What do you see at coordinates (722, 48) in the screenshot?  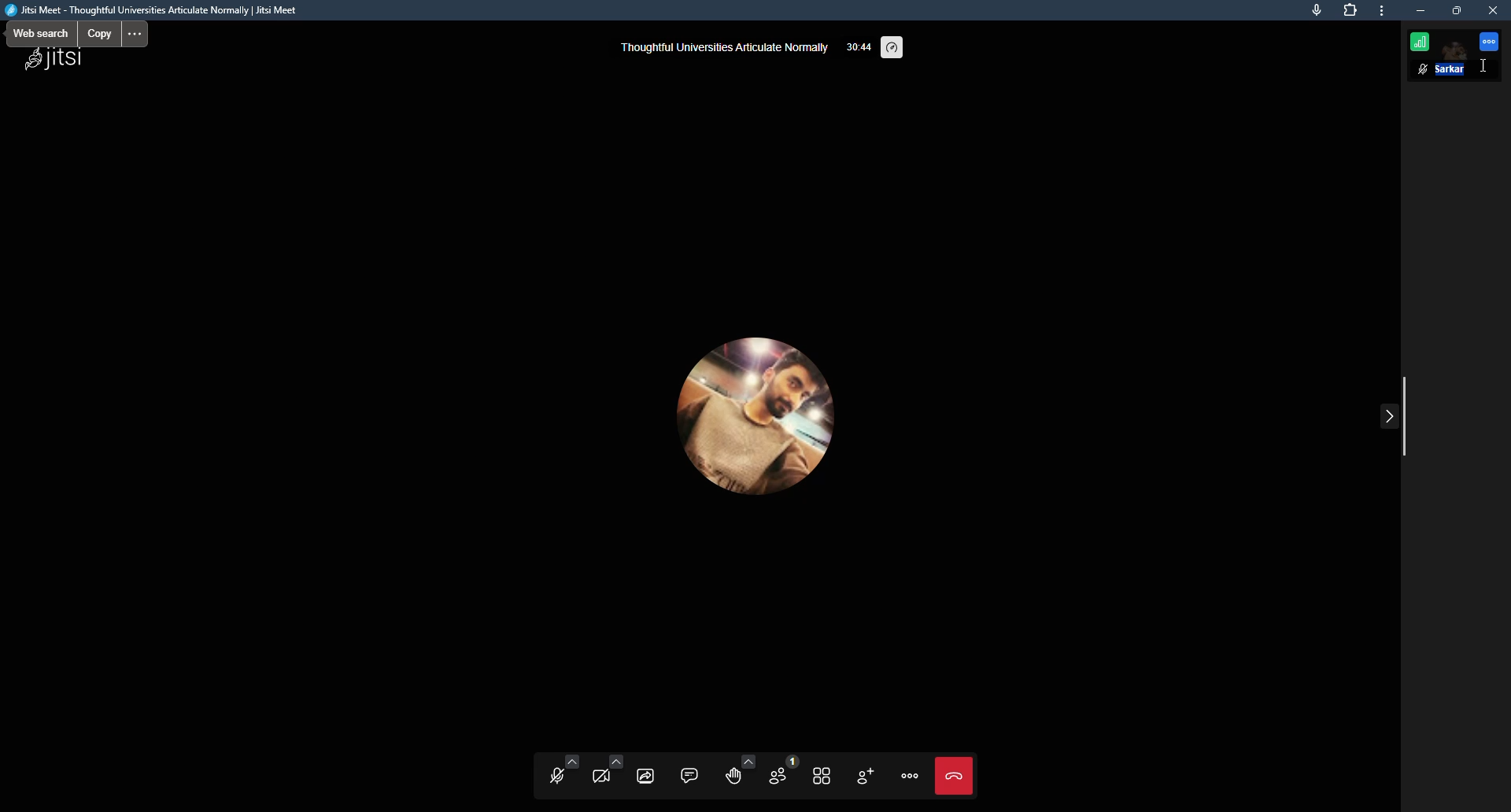 I see `thoughtful universities articulate normally` at bounding box center [722, 48].